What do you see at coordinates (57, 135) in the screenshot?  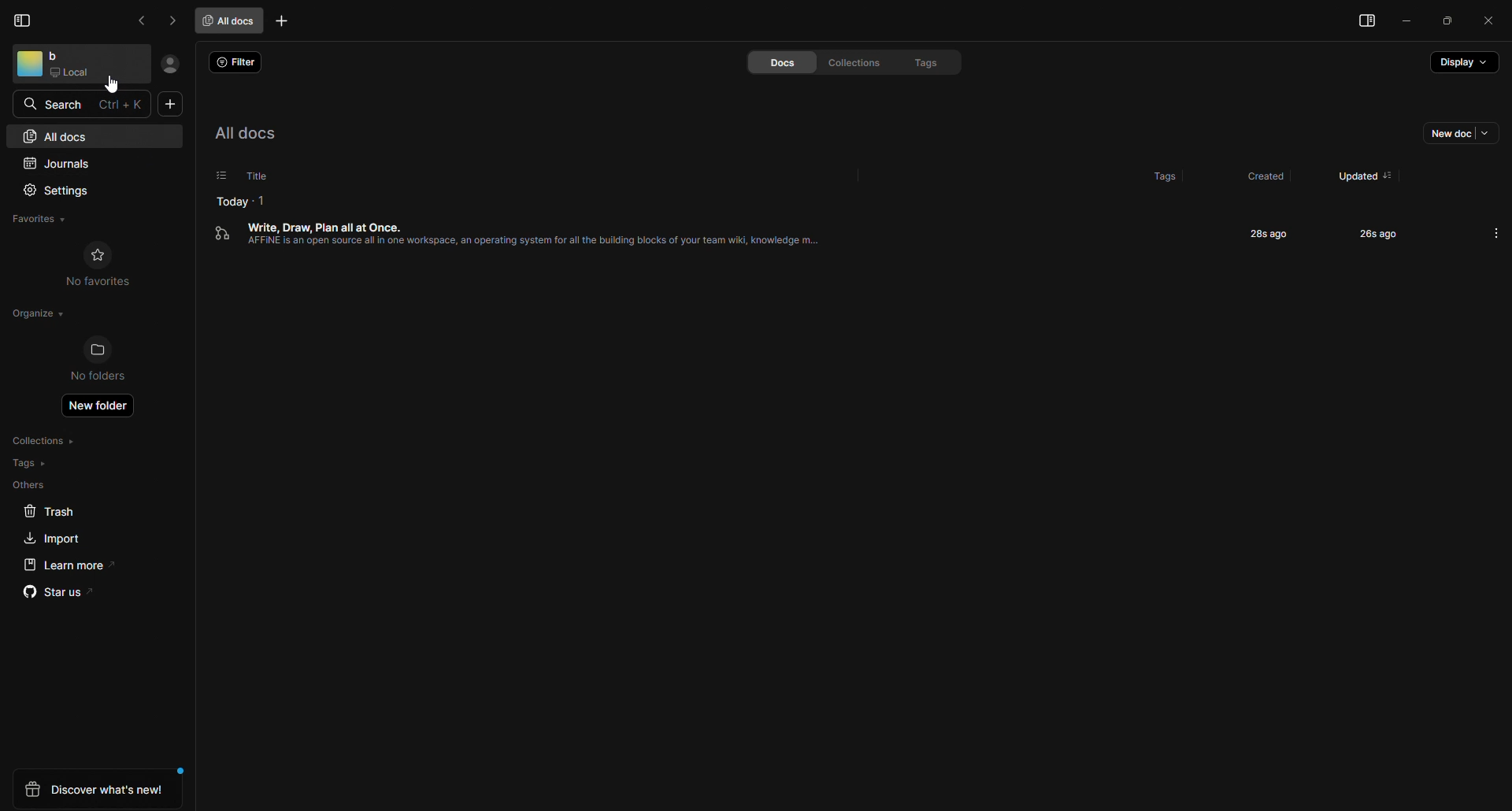 I see `all docs` at bounding box center [57, 135].